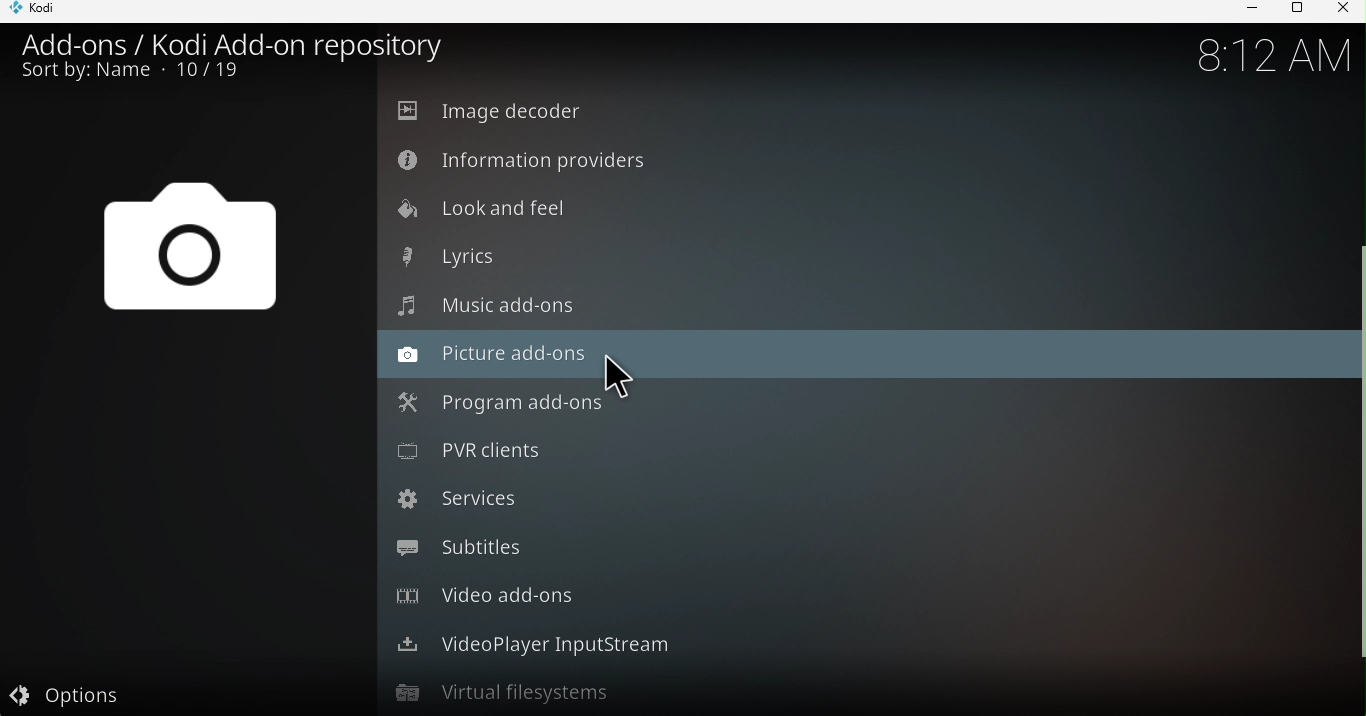 The width and height of the screenshot is (1366, 716). I want to click on Lyrics, so click(857, 258).